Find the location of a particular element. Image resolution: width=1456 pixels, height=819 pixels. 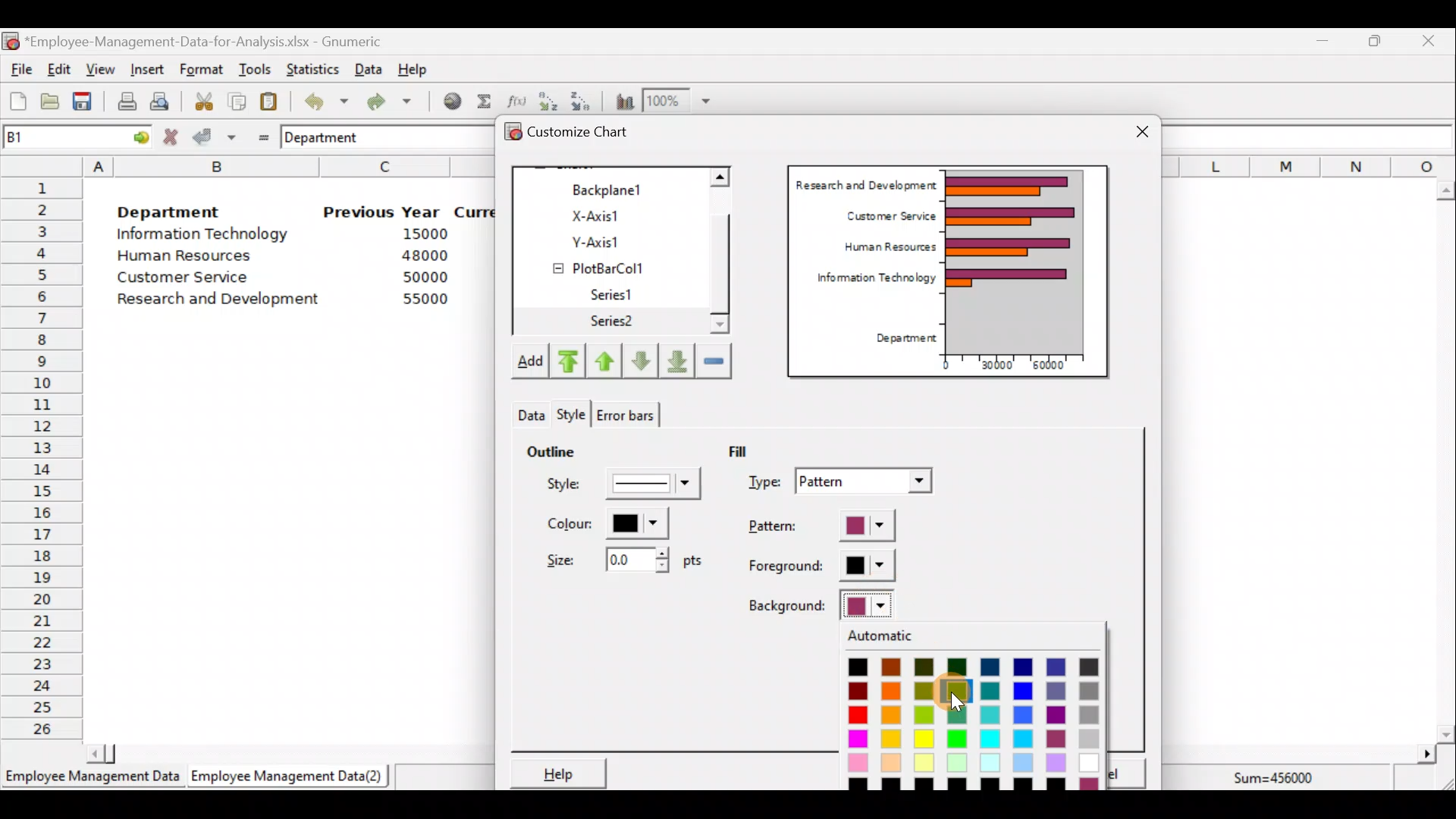

Pattern is located at coordinates (836, 527).